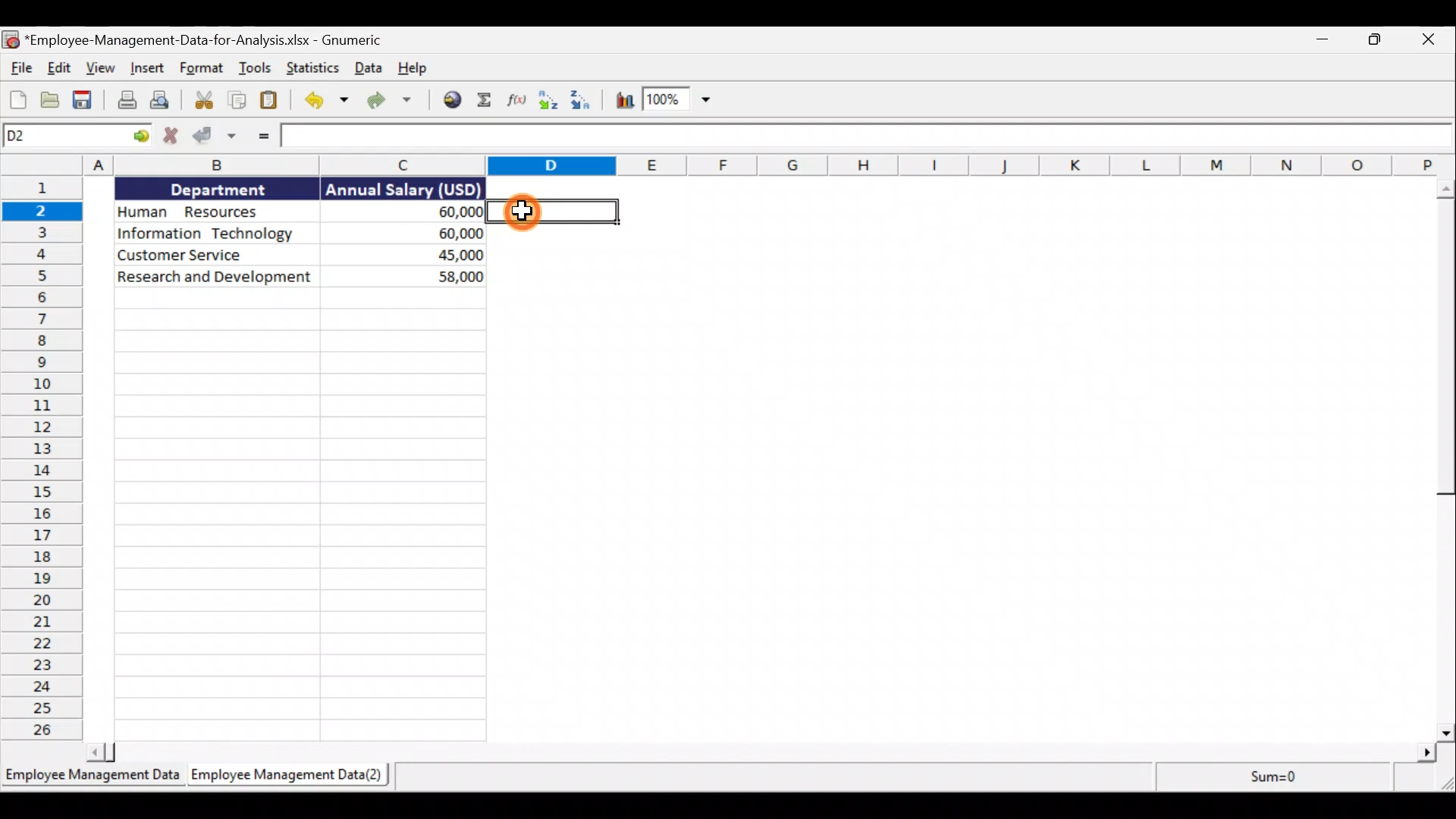 The width and height of the screenshot is (1456, 819). I want to click on Document name, so click(219, 37).